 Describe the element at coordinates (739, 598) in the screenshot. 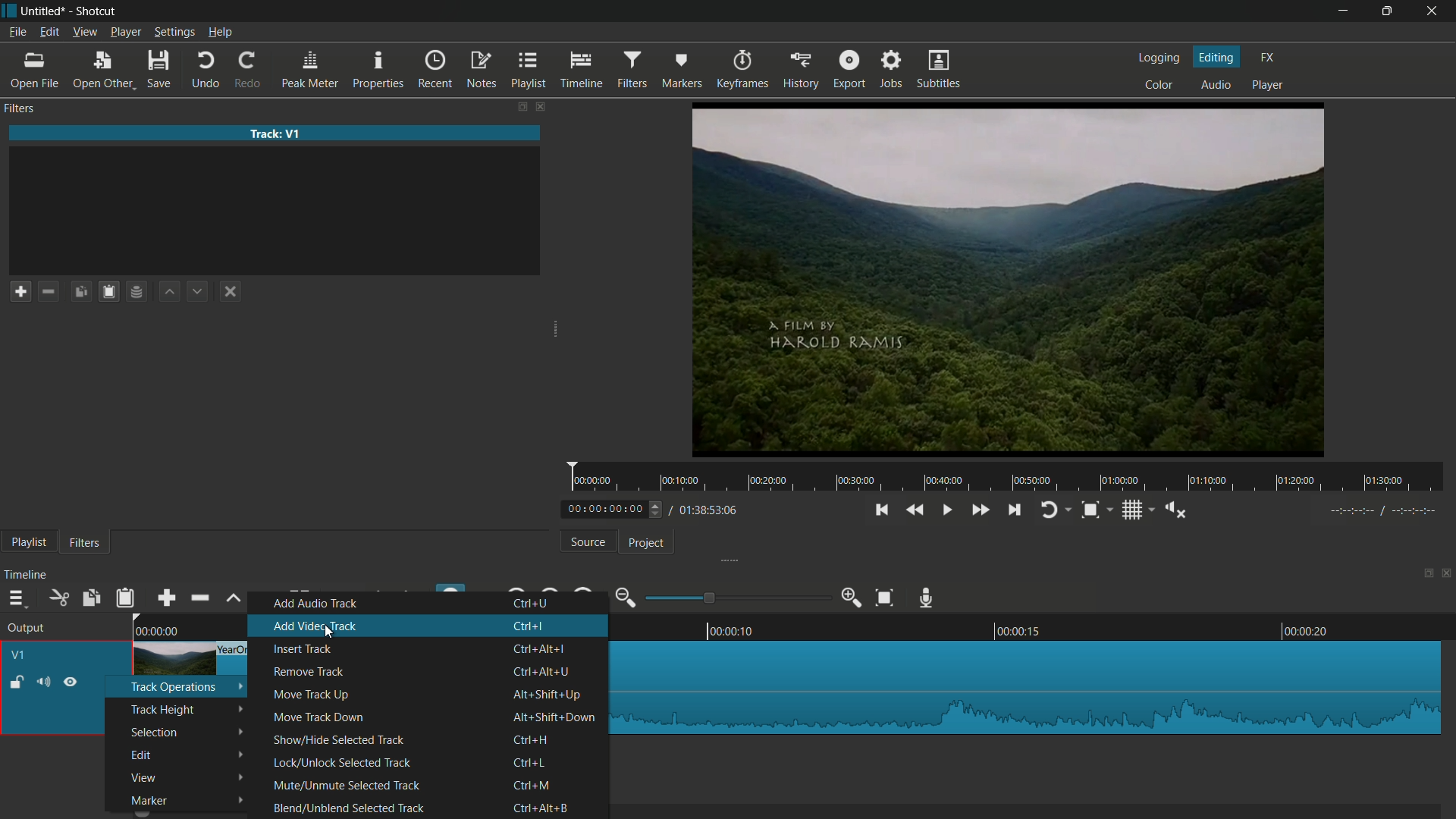

I see `adjustment bar` at that location.